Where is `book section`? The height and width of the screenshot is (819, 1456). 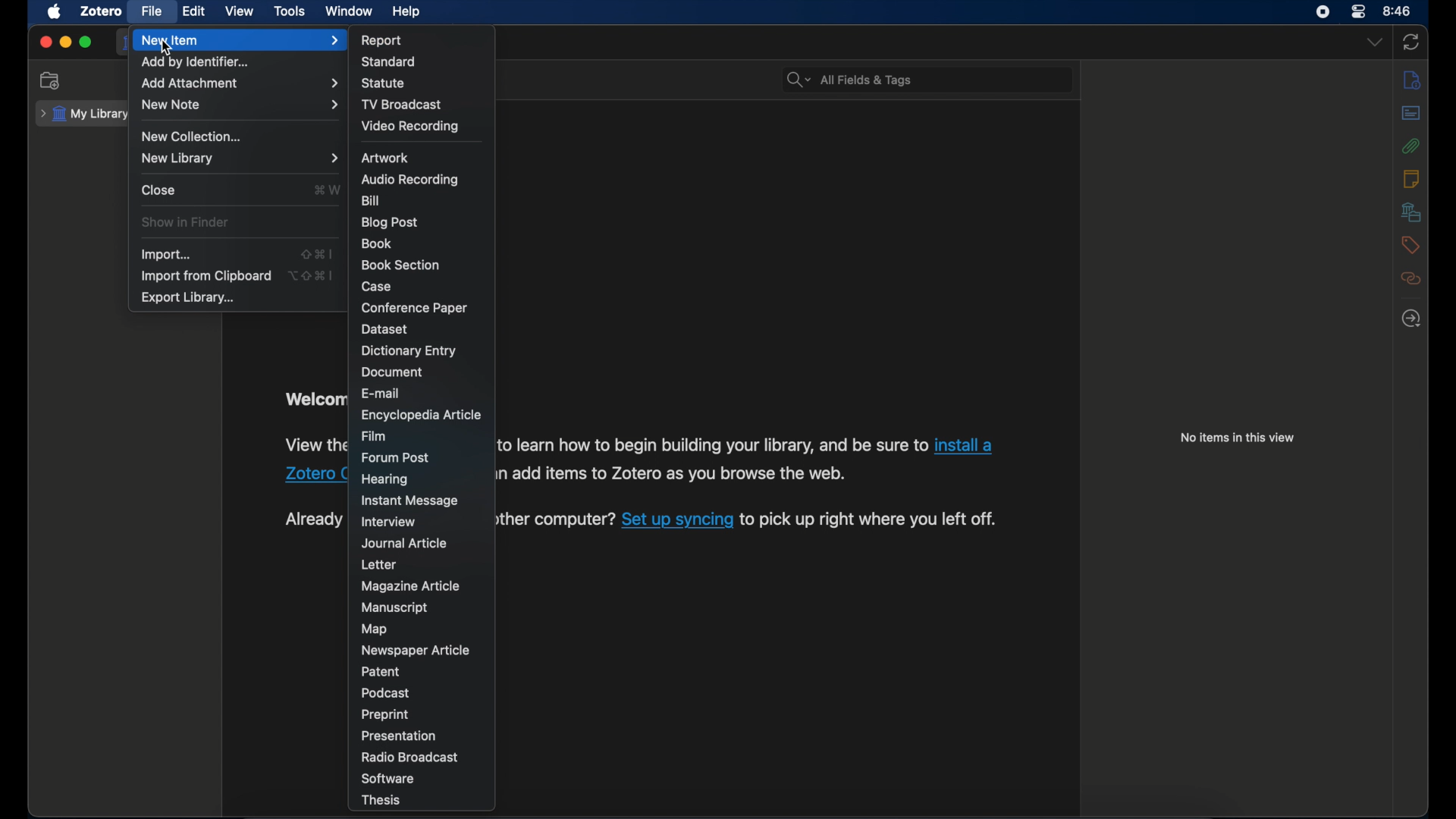
book section is located at coordinates (399, 263).